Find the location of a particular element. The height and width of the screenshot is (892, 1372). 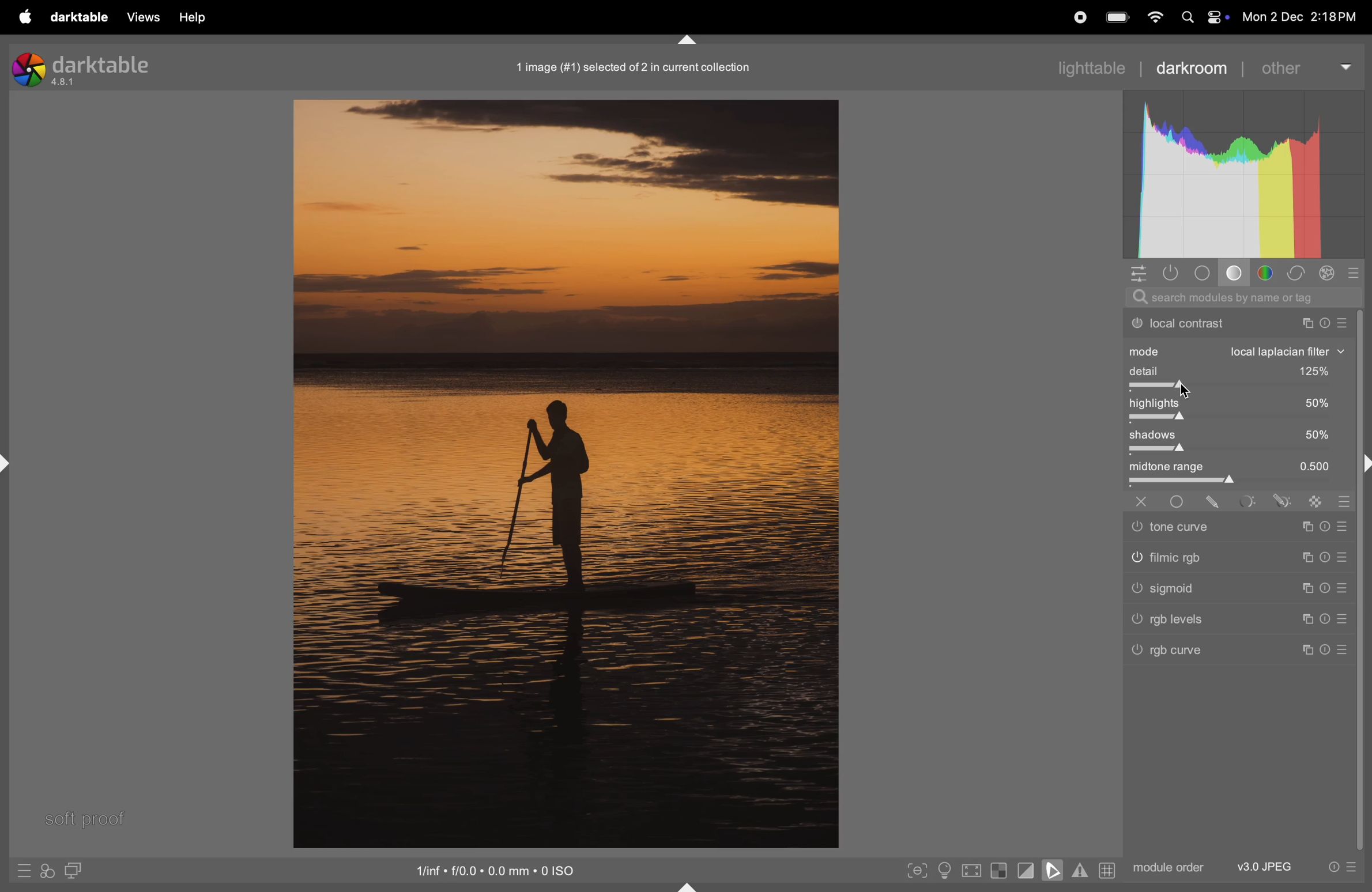

toggle peak foucisng mode is located at coordinates (916, 870).